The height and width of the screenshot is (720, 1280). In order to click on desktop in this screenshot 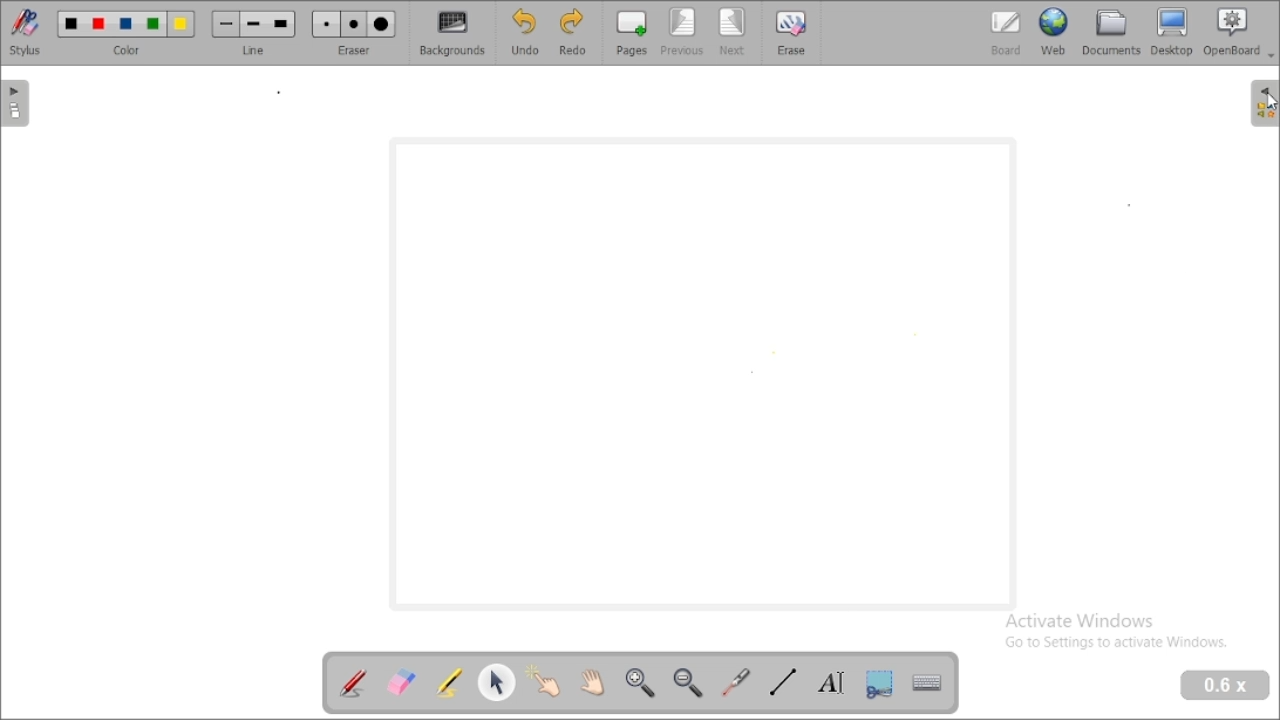, I will do `click(1173, 32)`.